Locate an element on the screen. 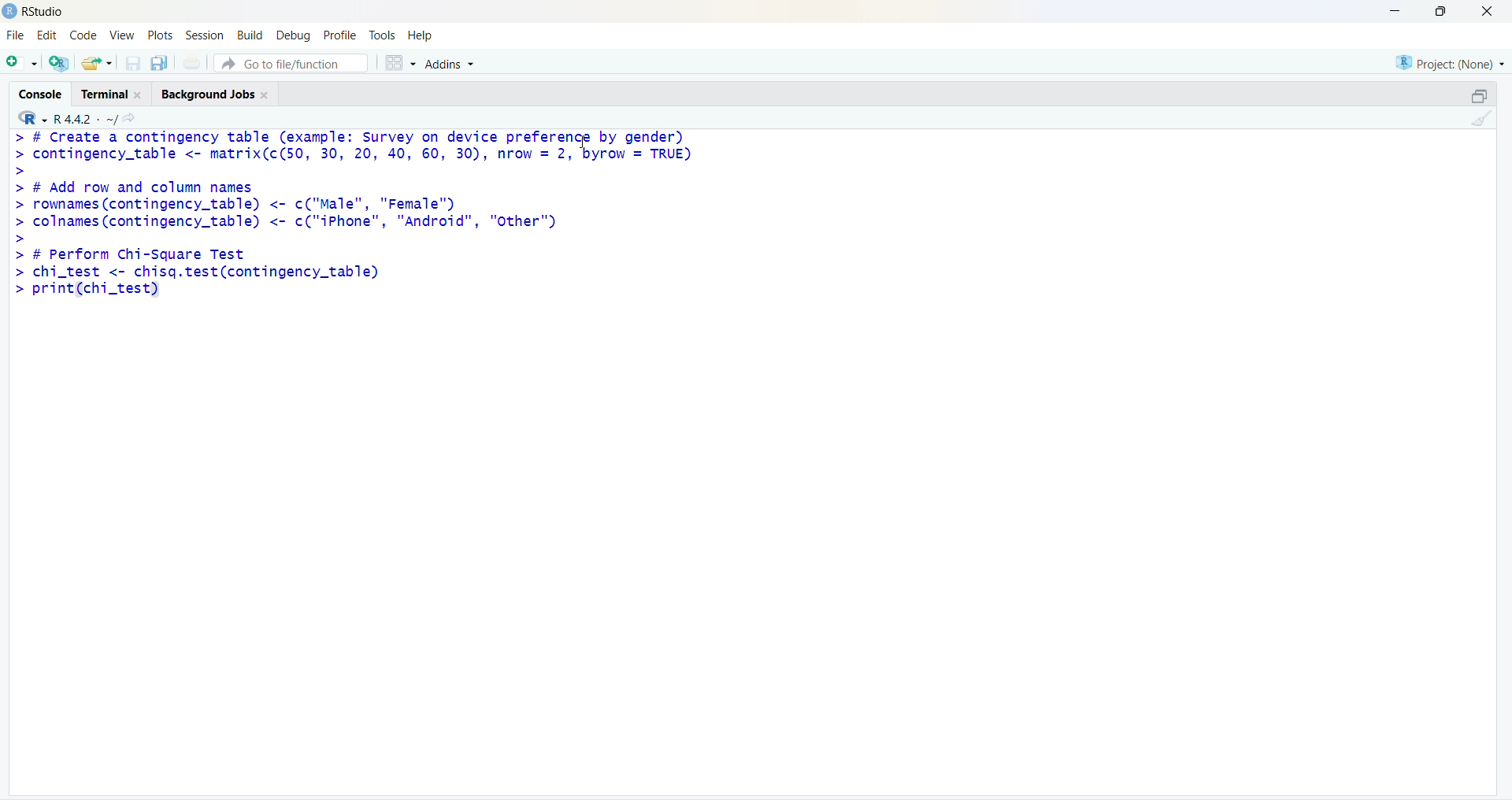 This screenshot has width=1512, height=800. Build is located at coordinates (250, 35).